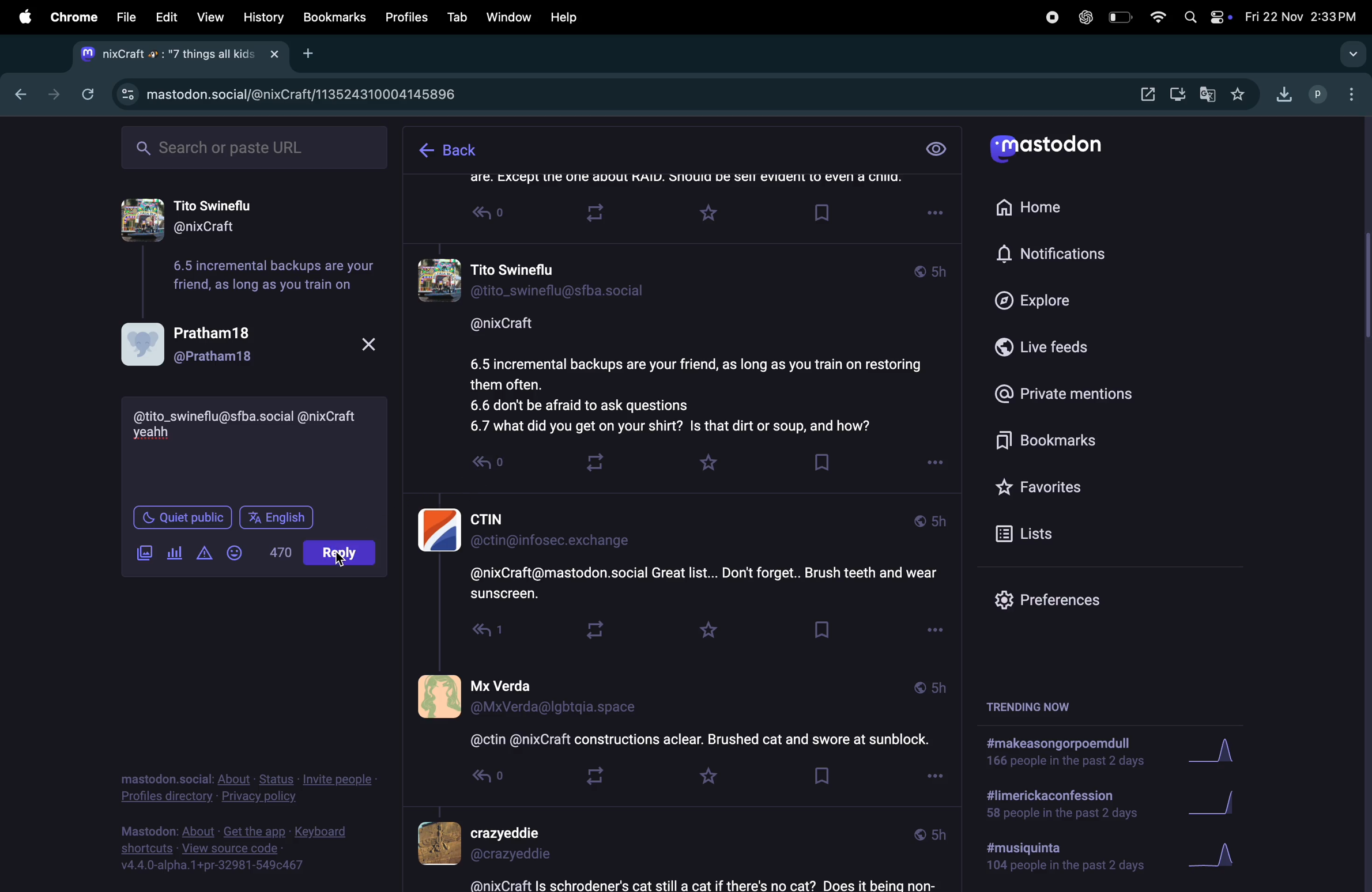 The height and width of the screenshot is (892, 1372). What do you see at coordinates (683, 551) in the screenshot?
I see `thread` at bounding box center [683, 551].